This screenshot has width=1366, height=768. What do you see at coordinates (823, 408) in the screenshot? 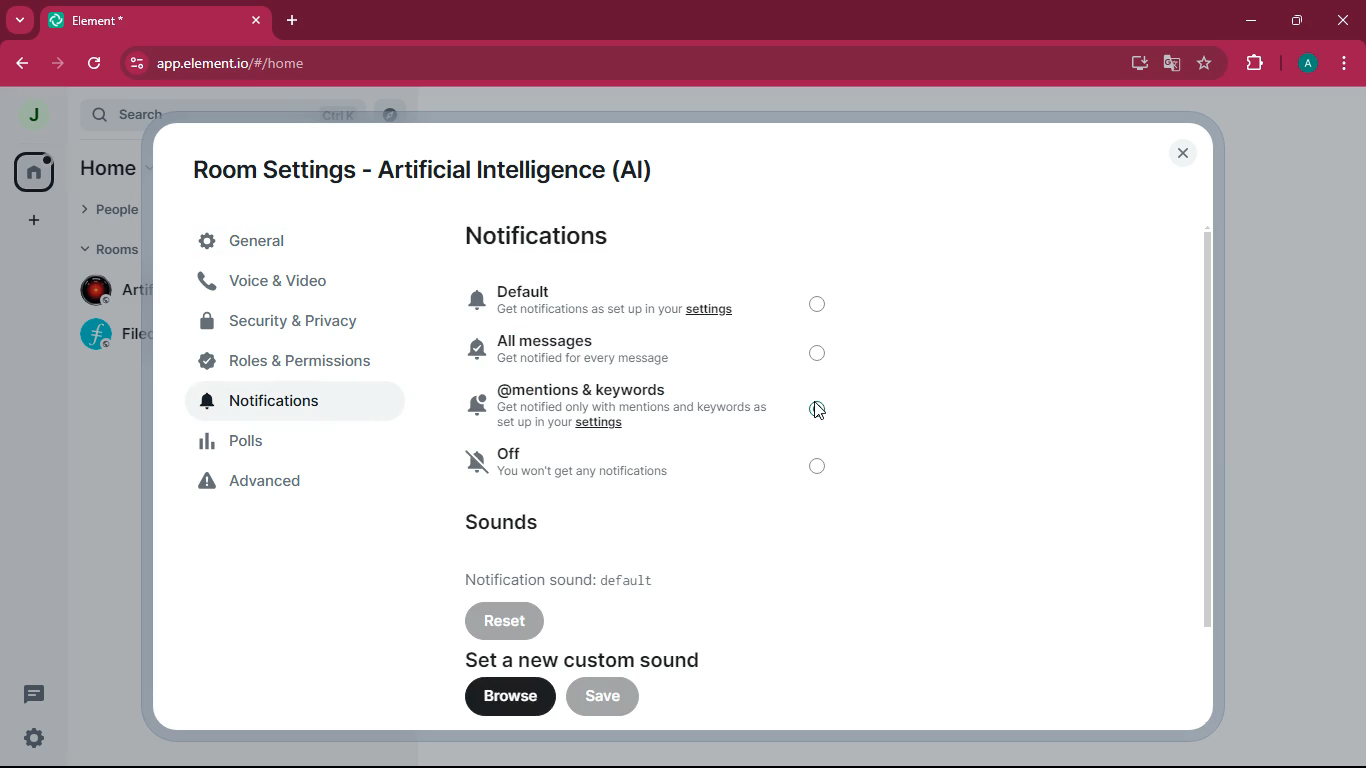
I see `on` at bounding box center [823, 408].